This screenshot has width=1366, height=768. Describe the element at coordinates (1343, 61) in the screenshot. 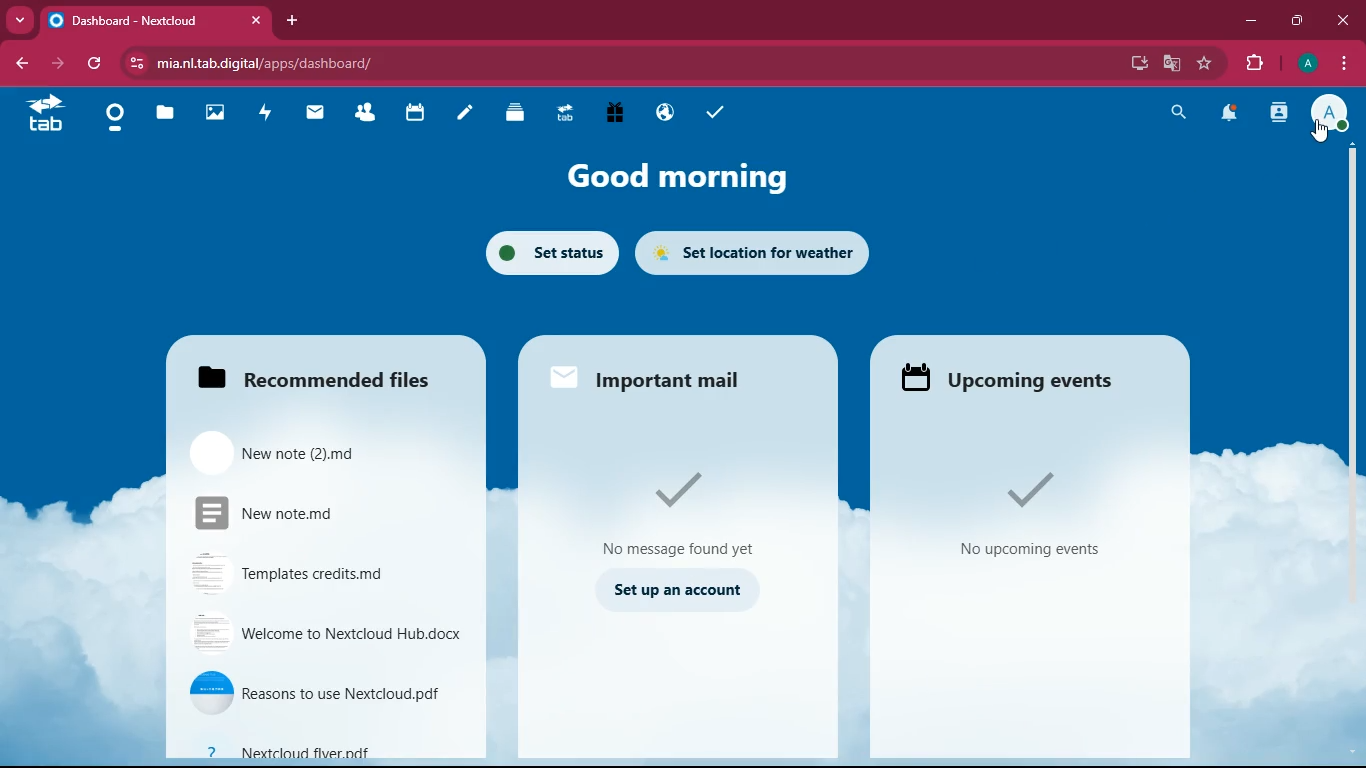

I see `menu` at that location.